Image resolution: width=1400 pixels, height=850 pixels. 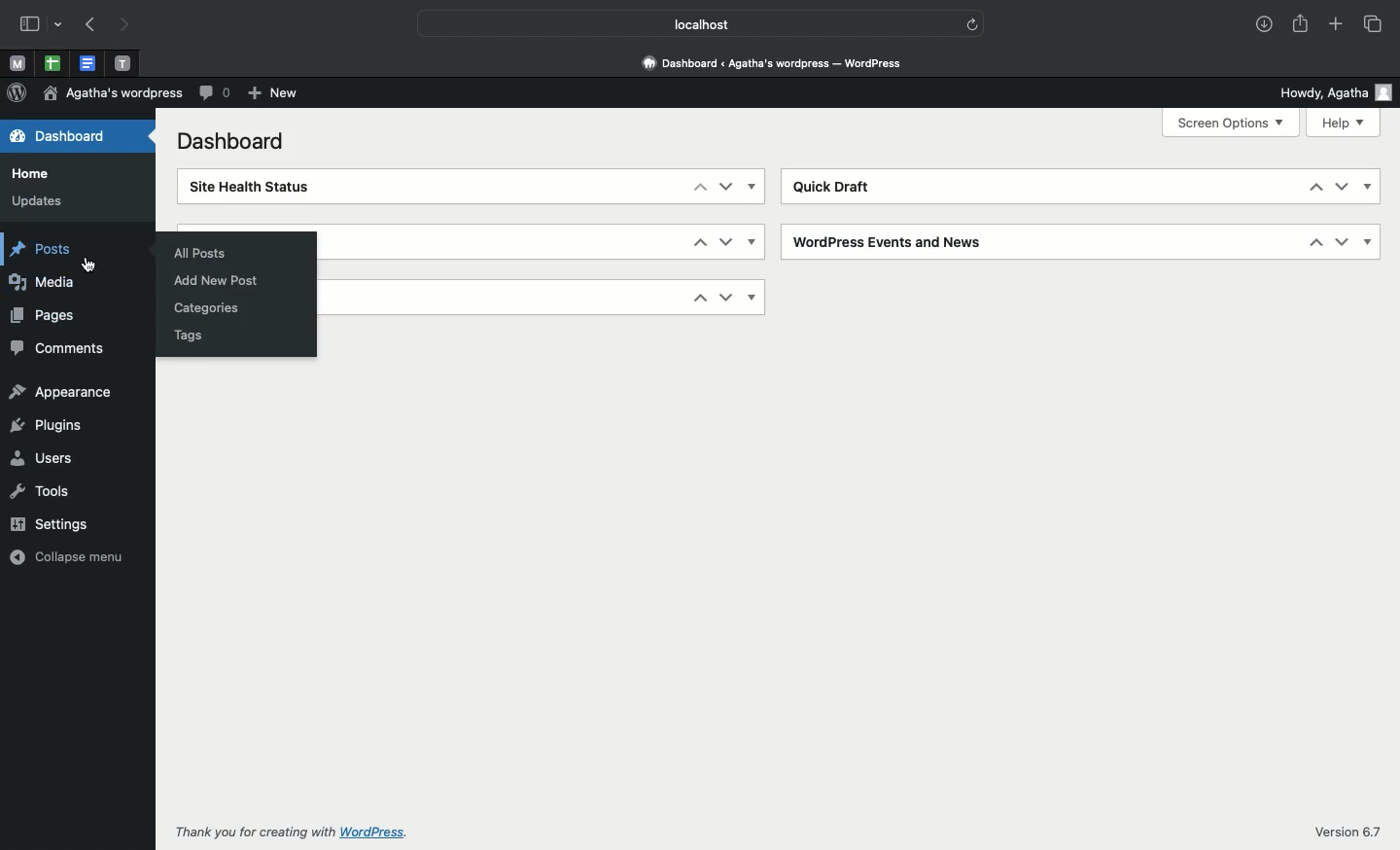 I want to click on Comments, so click(x=66, y=349).